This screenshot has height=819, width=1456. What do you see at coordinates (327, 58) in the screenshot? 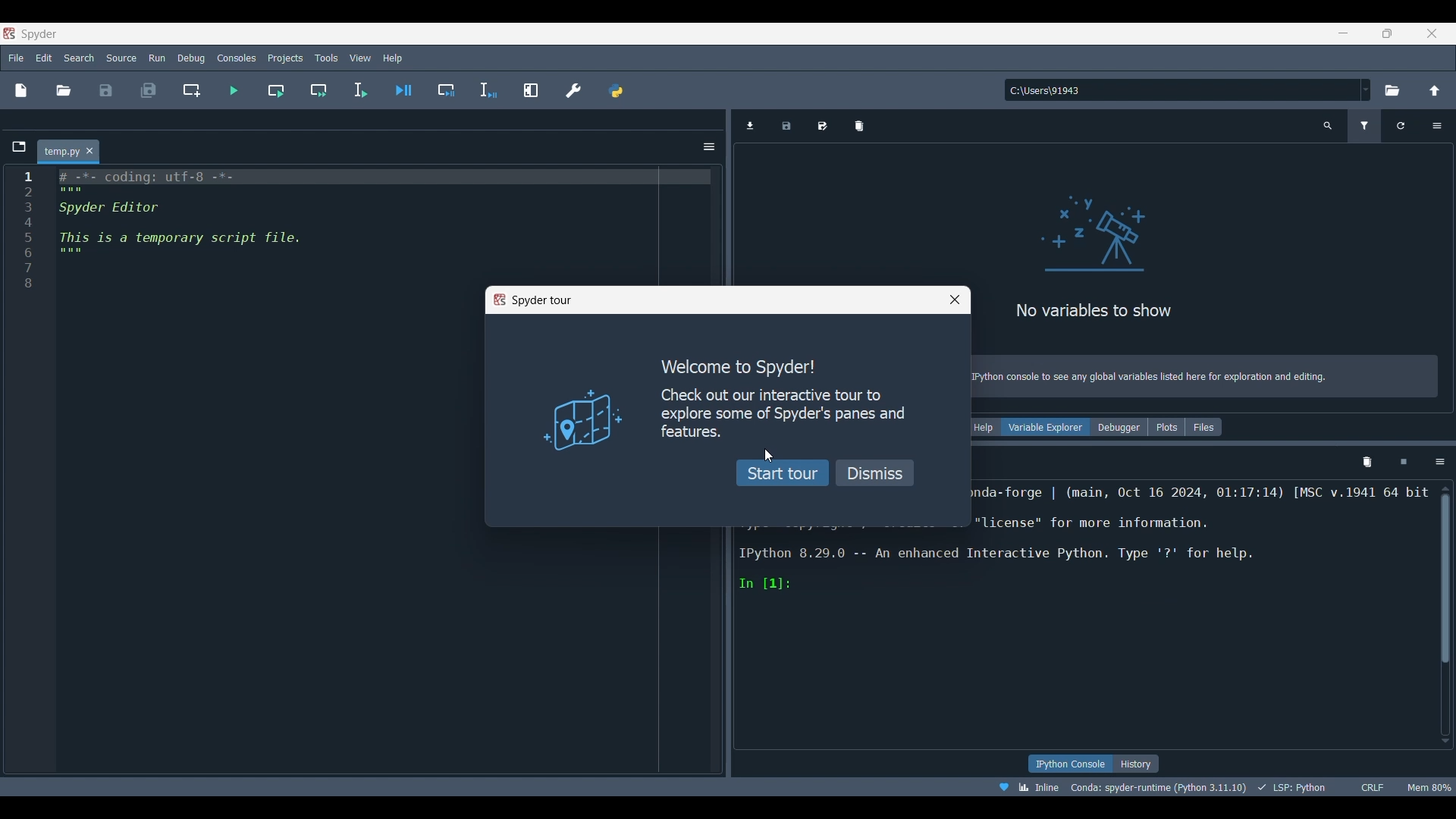
I see `Tools menu` at bounding box center [327, 58].